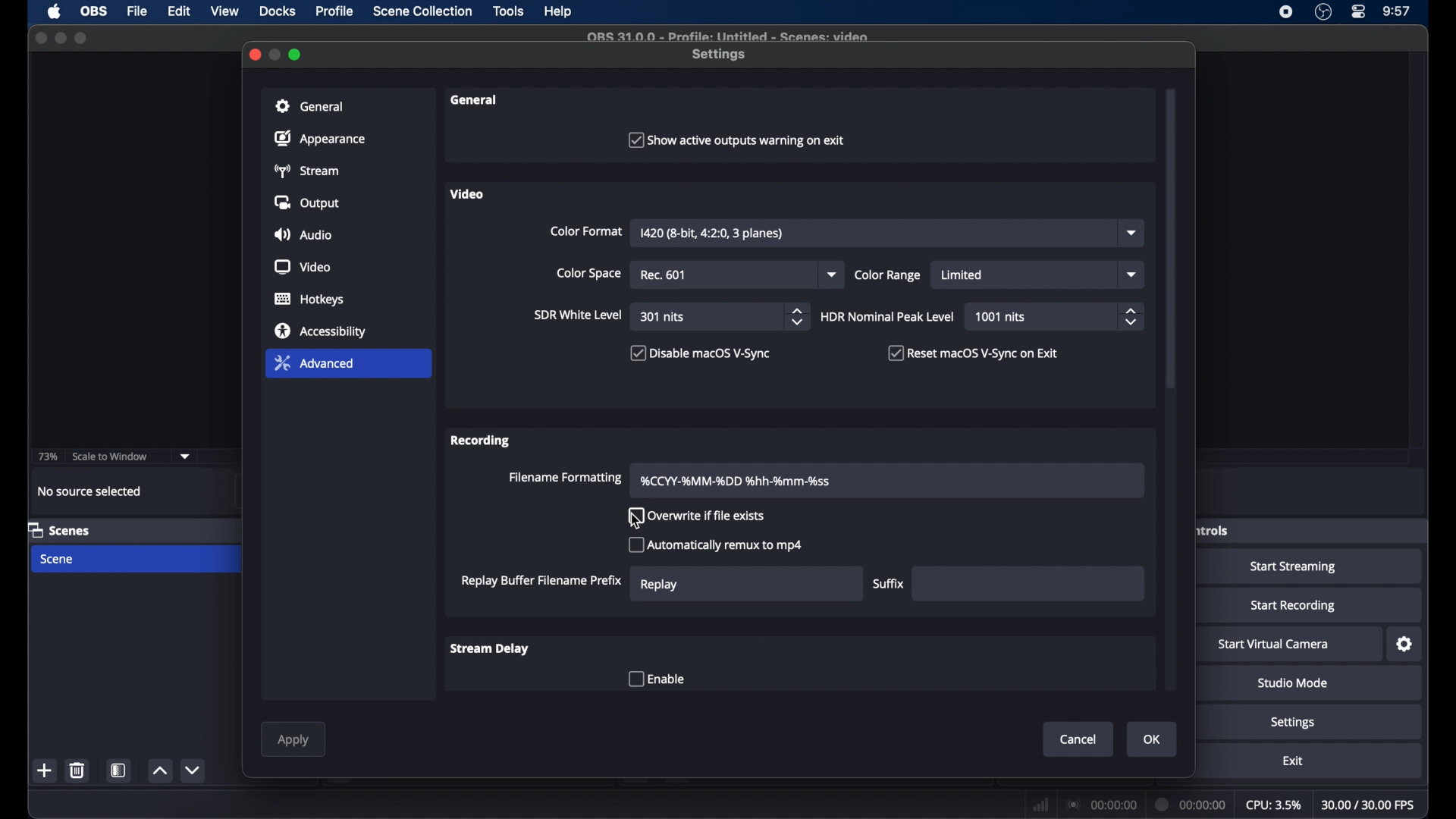  I want to click on appearance, so click(320, 138).